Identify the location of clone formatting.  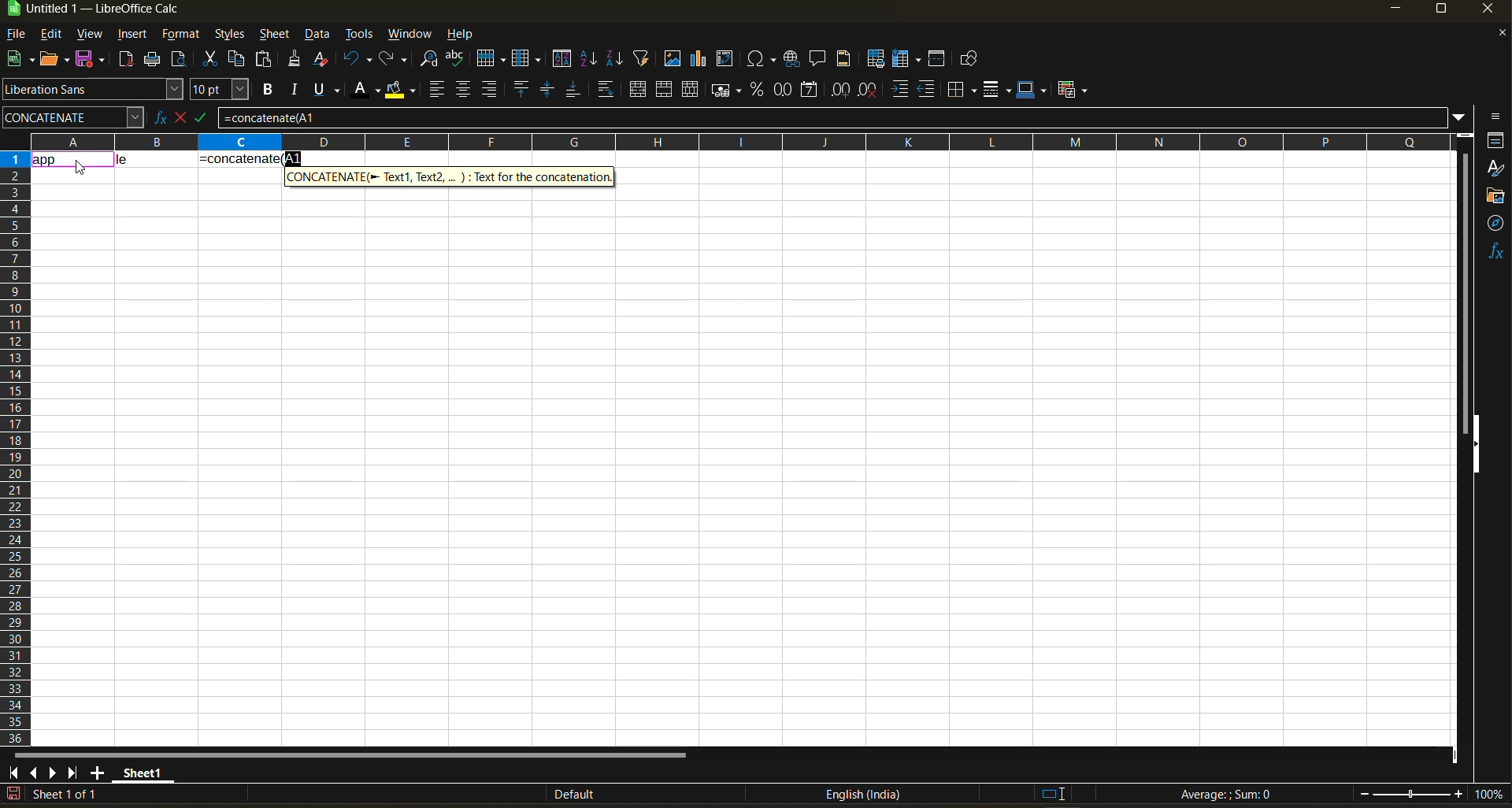
(295, 61).